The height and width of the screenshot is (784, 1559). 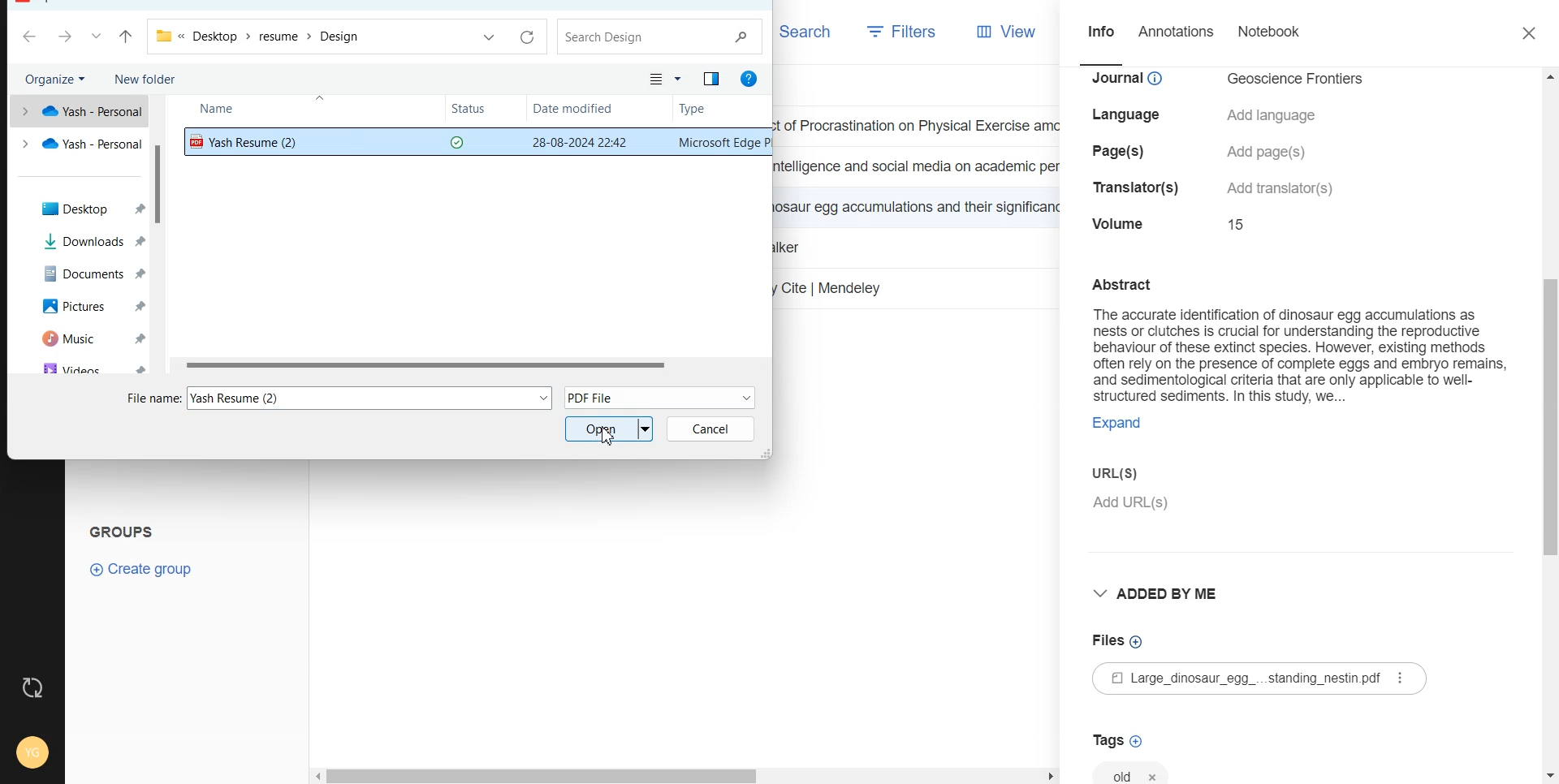 What do you see at coordinates (1549, 424) in the screenshot?
I see `Vertical scroll bar` at bounding box center [1549, 424].